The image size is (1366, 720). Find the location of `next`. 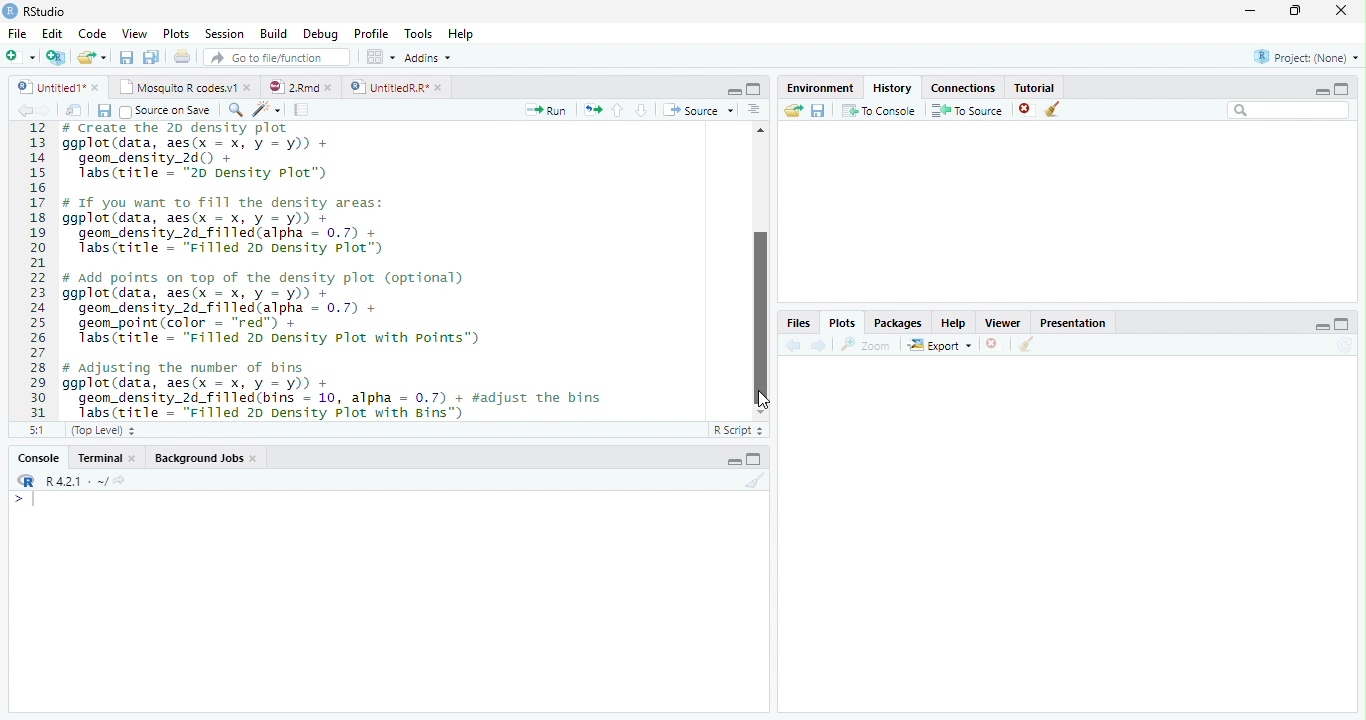

next is located at coordinates (52, 112).